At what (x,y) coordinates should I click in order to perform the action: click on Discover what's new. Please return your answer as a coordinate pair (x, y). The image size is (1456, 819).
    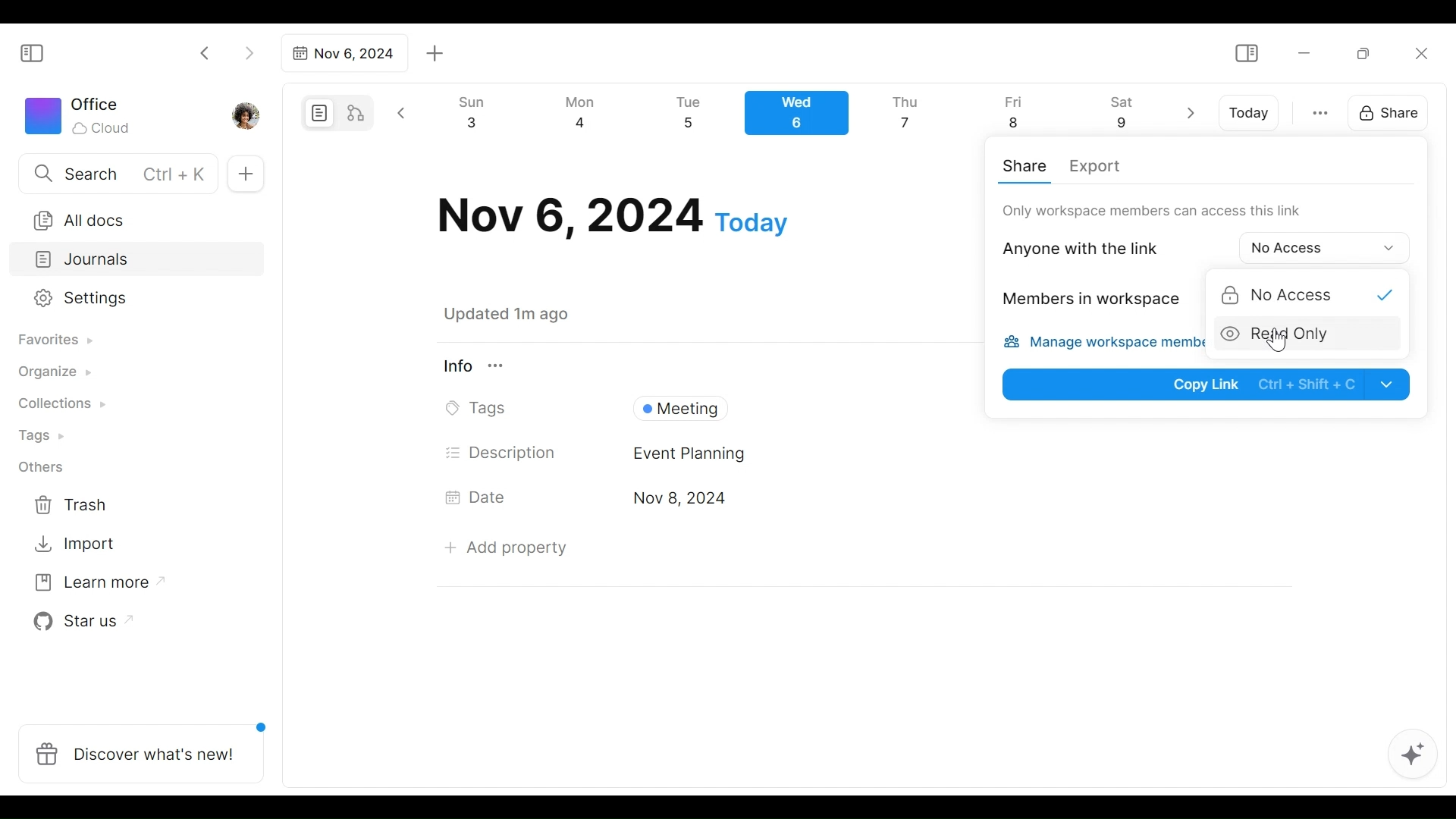
    Looking at the image, I should click on (147, 745).